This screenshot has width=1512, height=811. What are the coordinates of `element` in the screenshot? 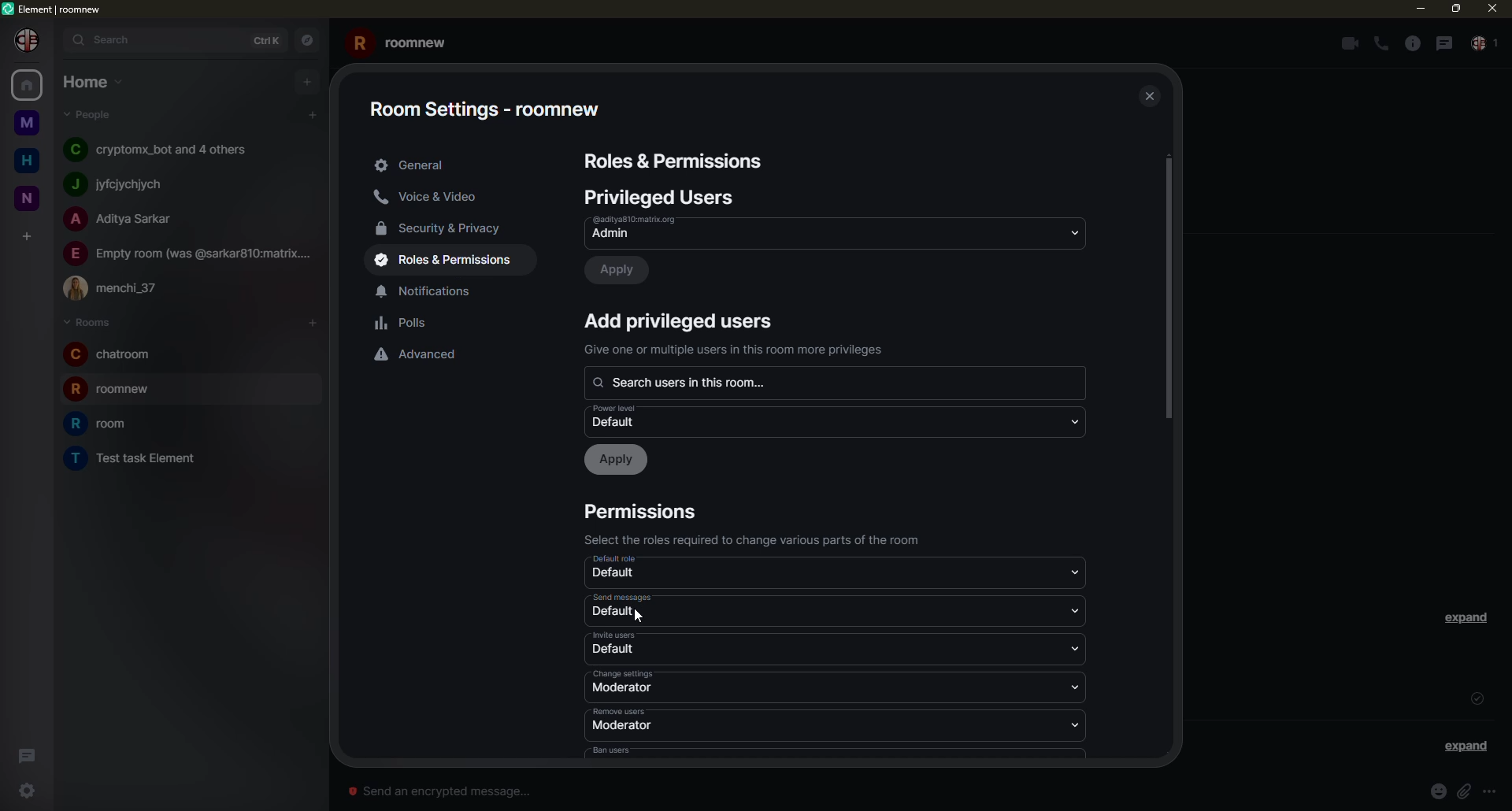 It's located at (54, 7).